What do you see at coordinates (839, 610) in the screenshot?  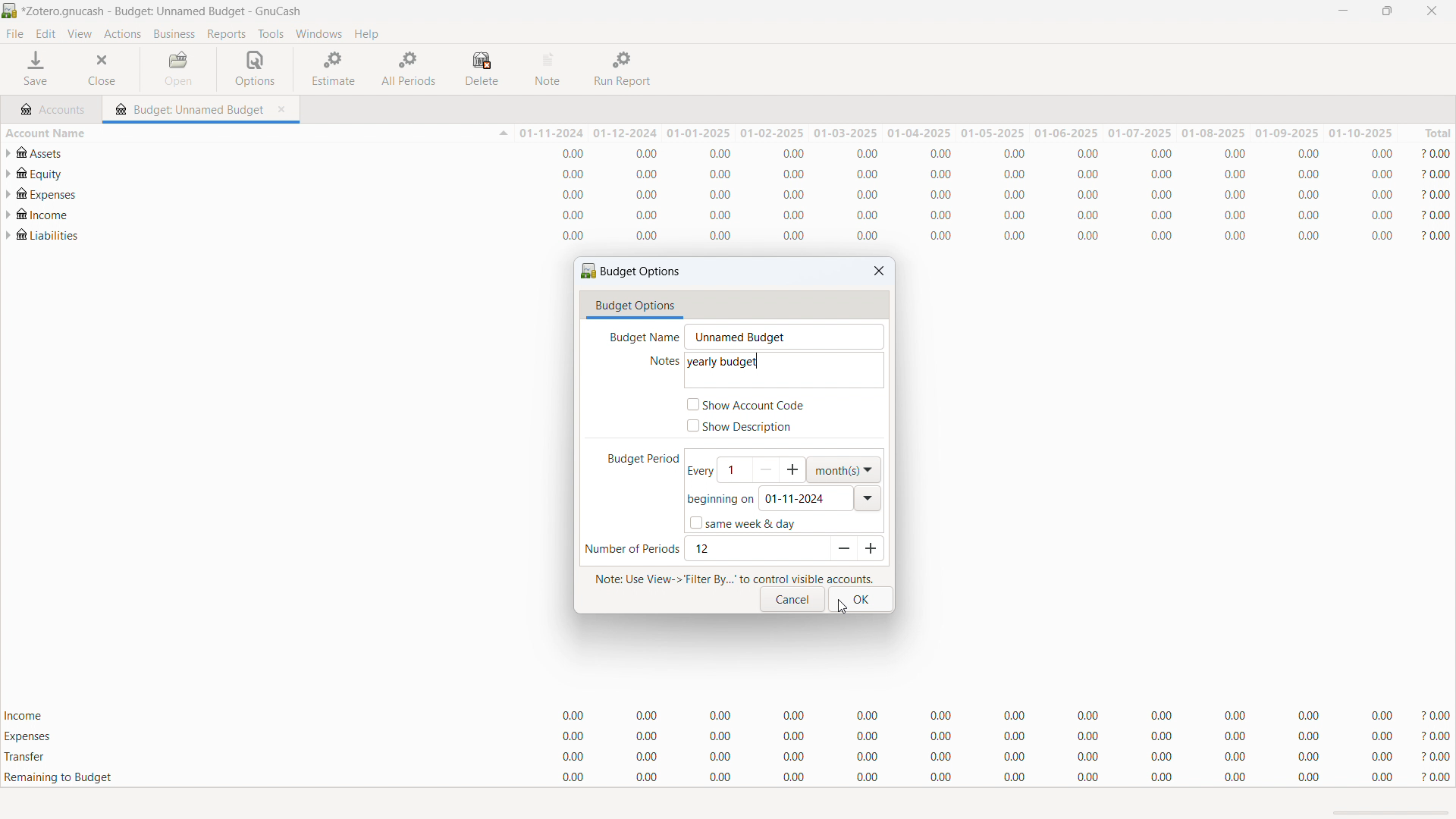 I see `cursor` at bounding box center [839, 610].